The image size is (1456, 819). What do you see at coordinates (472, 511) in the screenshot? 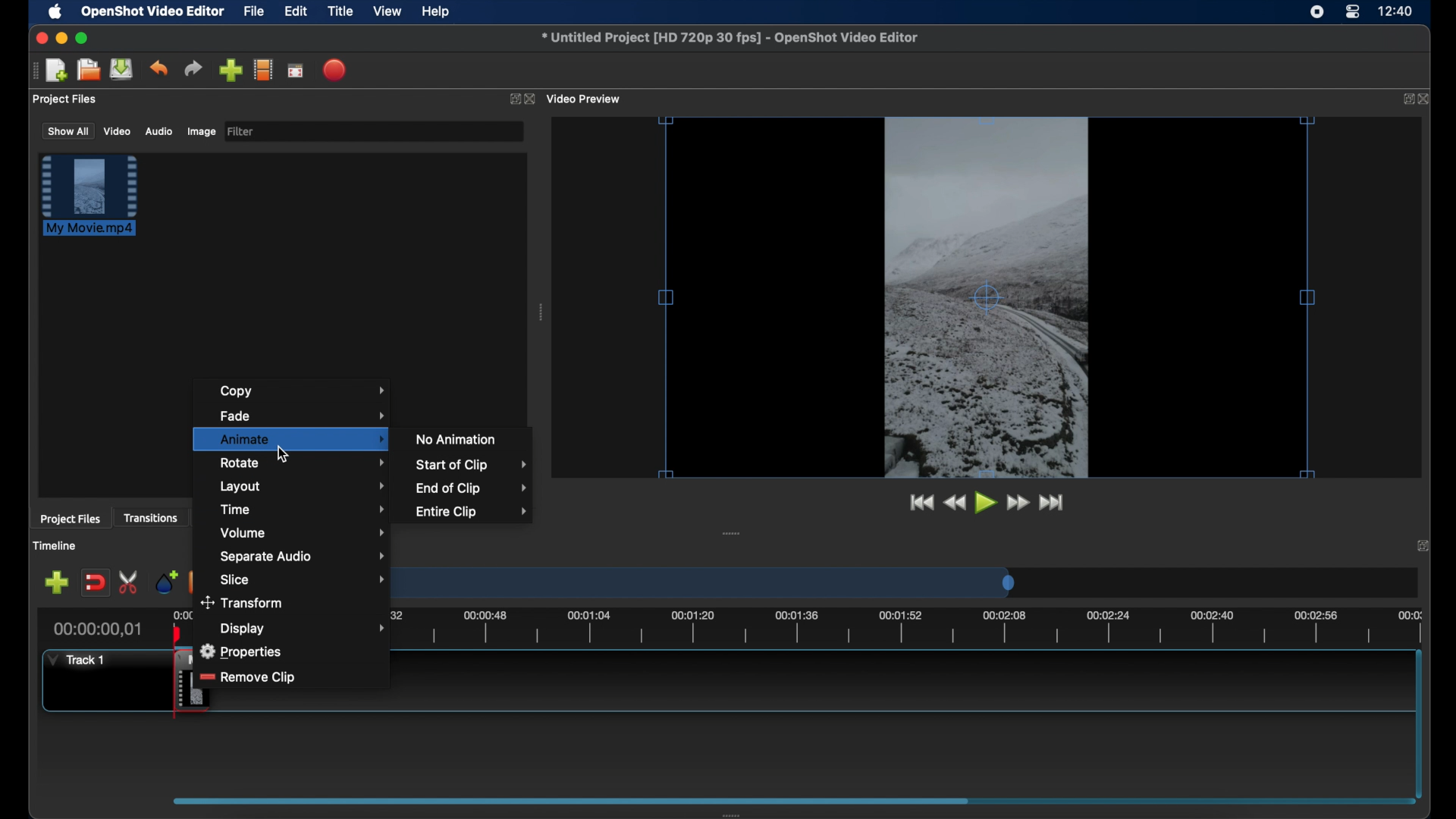
I see `entire clip menu` at bounding box center [472, 511].